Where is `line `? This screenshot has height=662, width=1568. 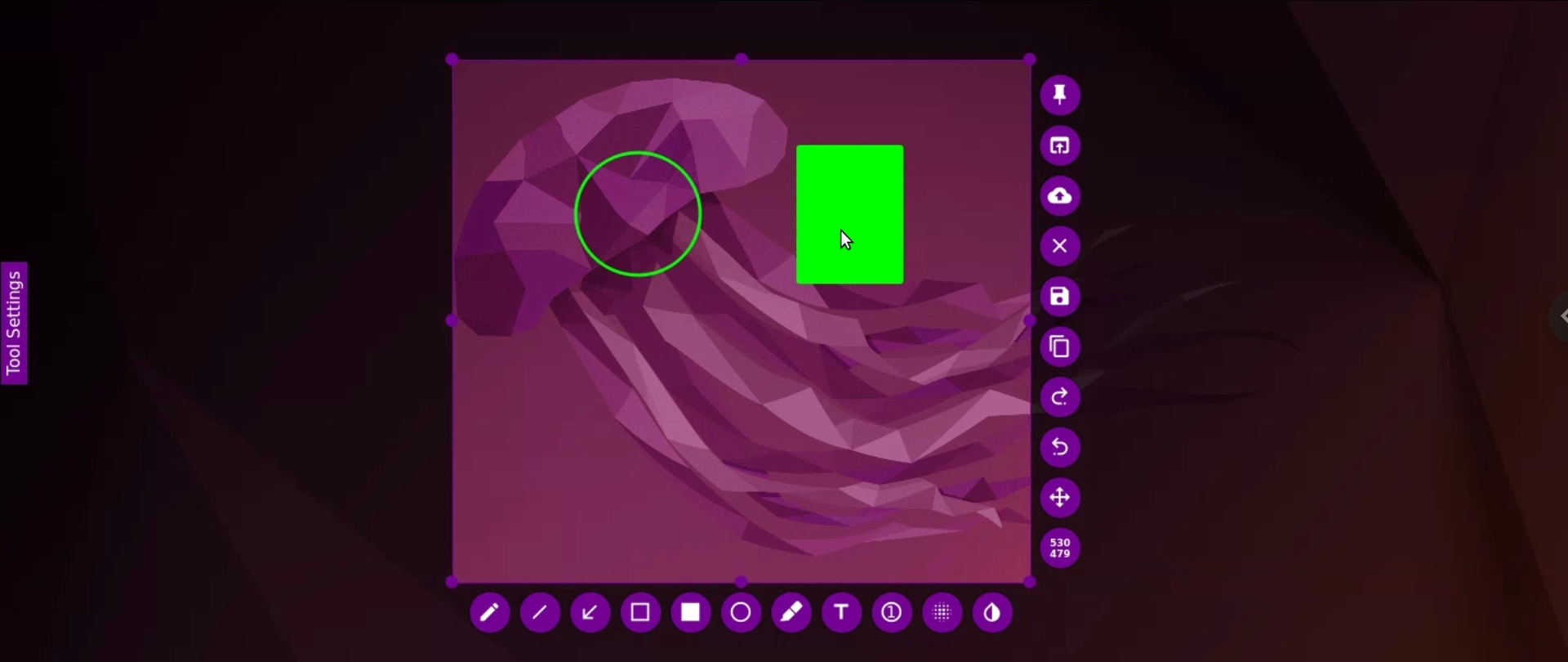
line  is located at coordinates (546, 614).